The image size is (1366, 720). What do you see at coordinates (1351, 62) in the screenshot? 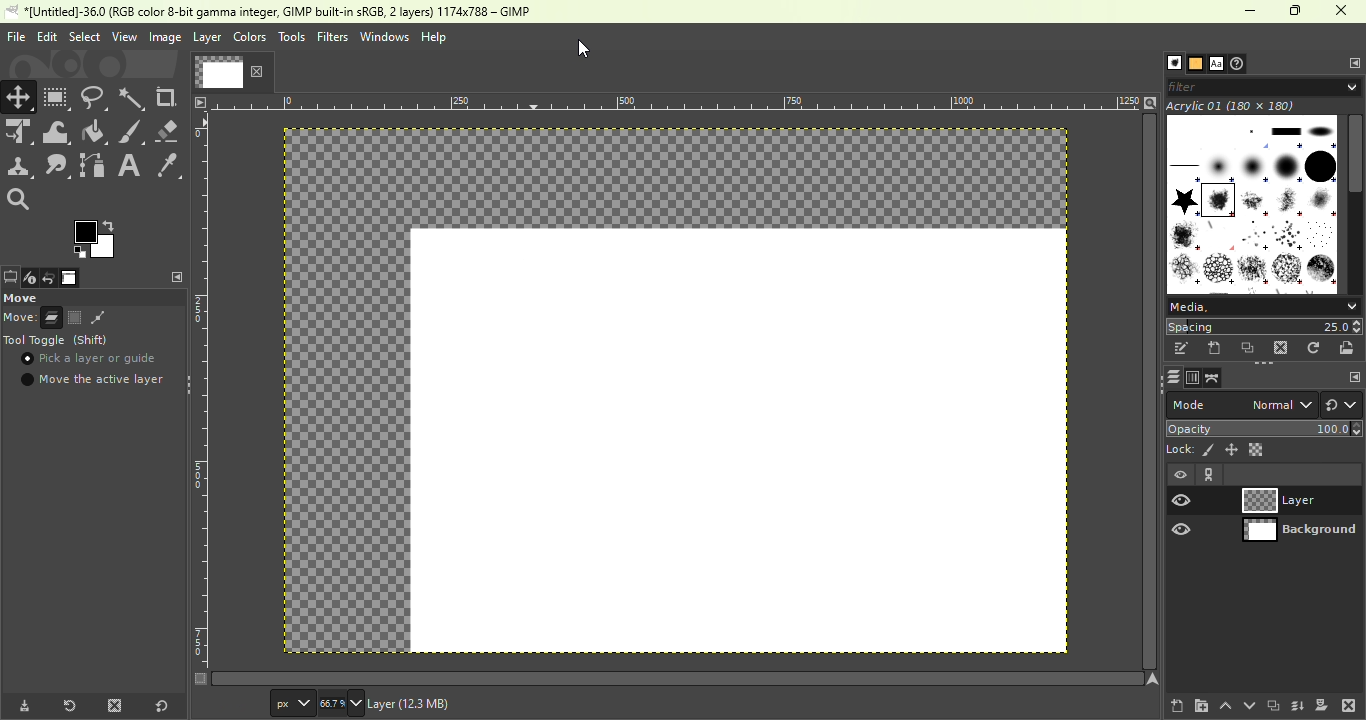
I see `Configure this tab` at bounding box center [1351, 62].